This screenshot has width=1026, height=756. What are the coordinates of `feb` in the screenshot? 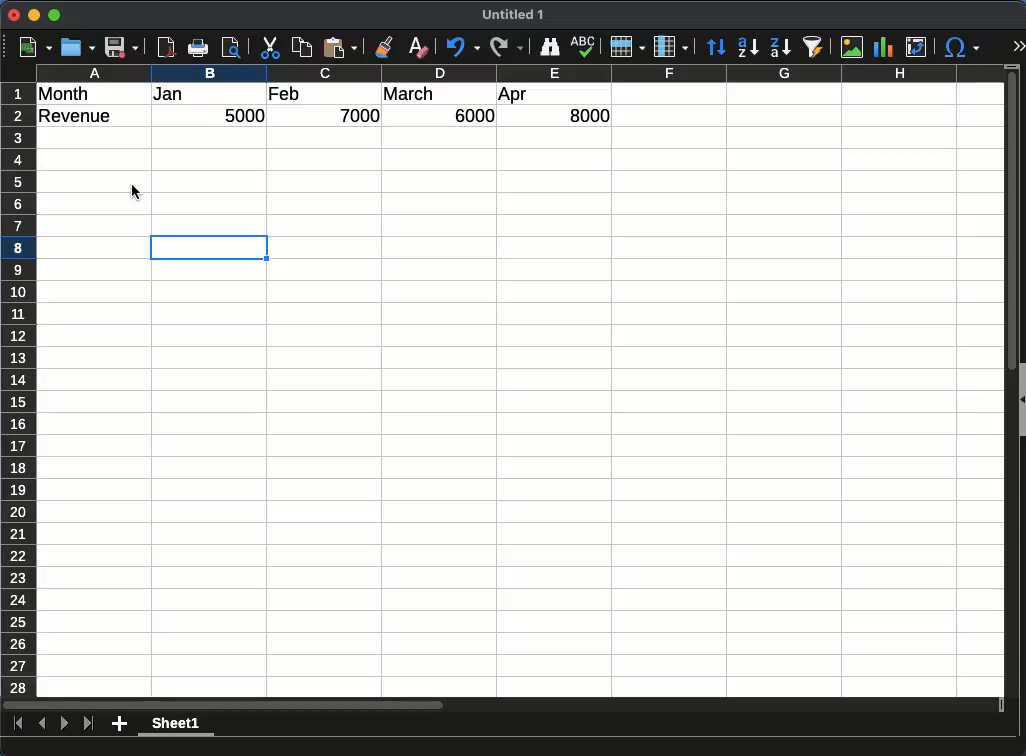 It's located at (287, 94).